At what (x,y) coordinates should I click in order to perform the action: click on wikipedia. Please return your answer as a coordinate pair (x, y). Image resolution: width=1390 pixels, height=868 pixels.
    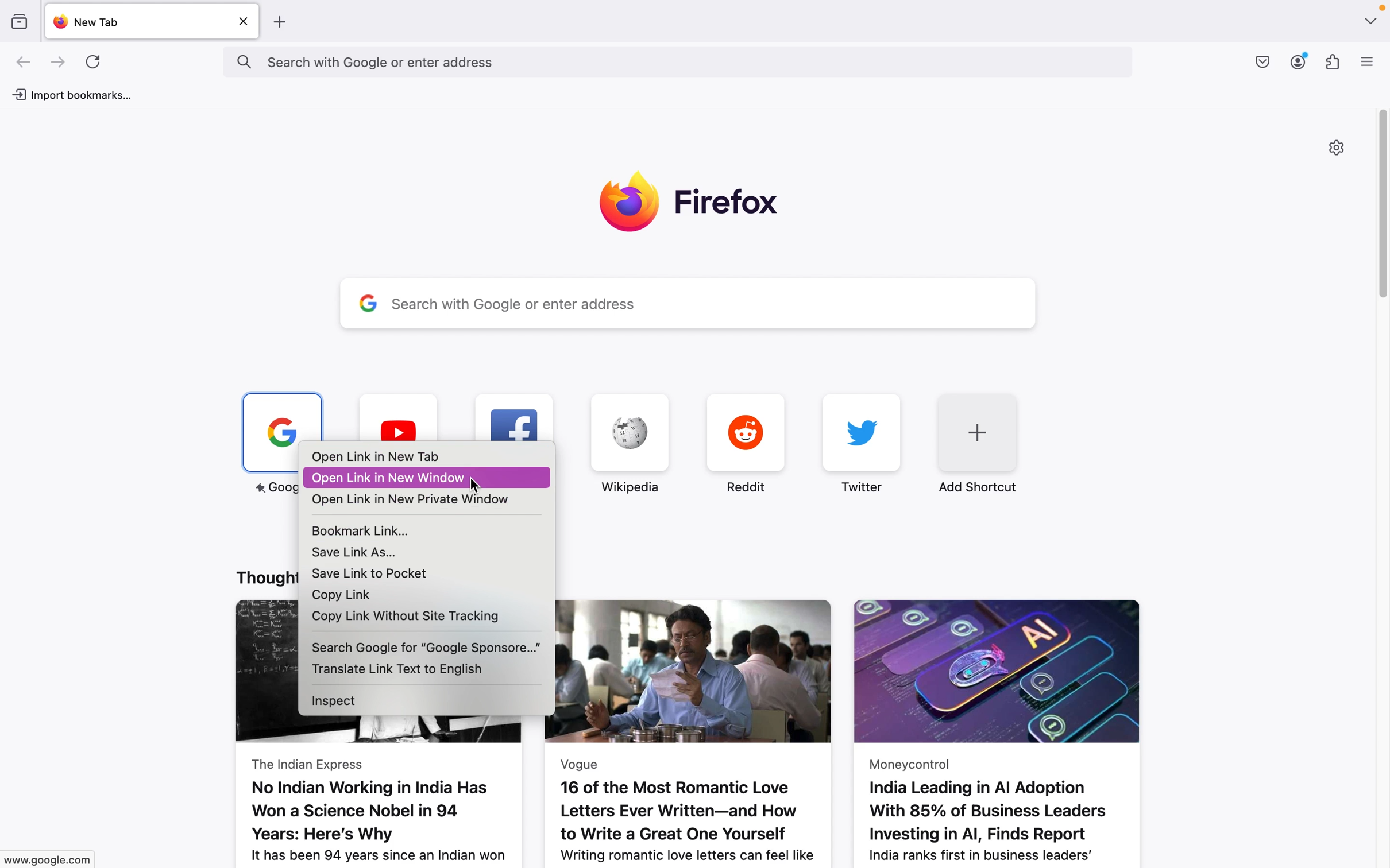
    Looking at the image, I should click on (621, 443).